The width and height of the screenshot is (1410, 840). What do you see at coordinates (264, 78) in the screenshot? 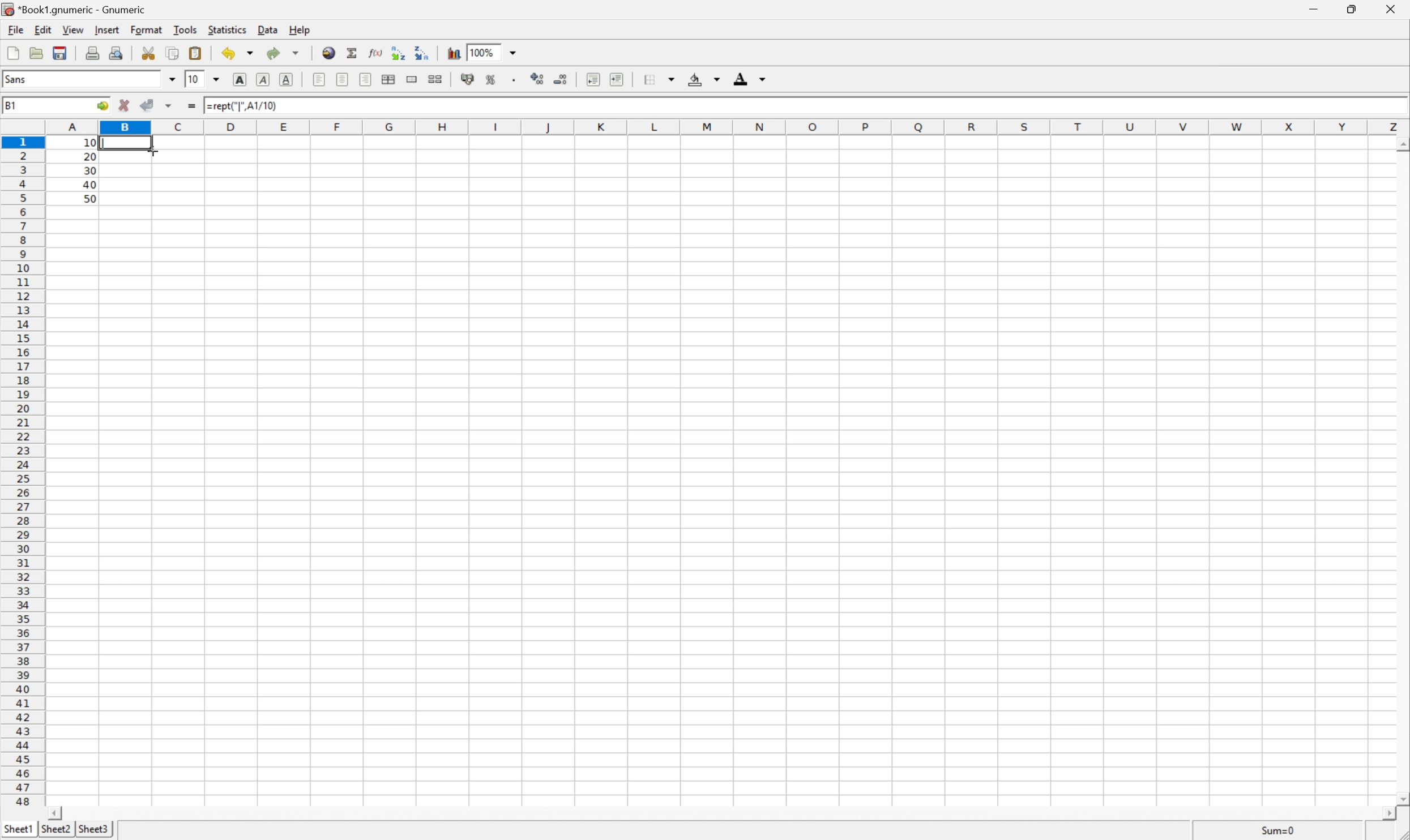
I see `Italic` at bounding box center [264, 78].